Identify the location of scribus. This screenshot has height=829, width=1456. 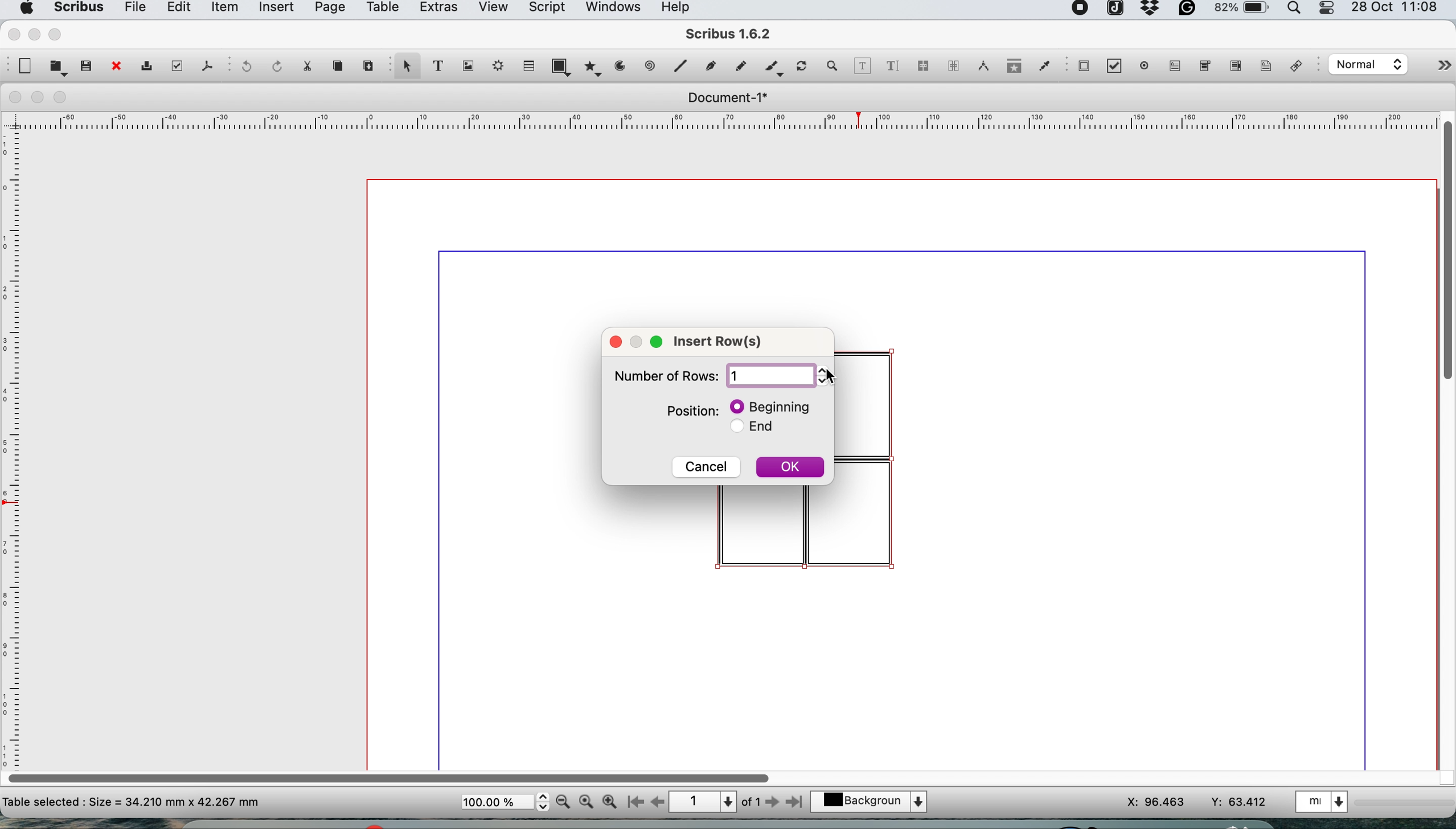
(729, 35).